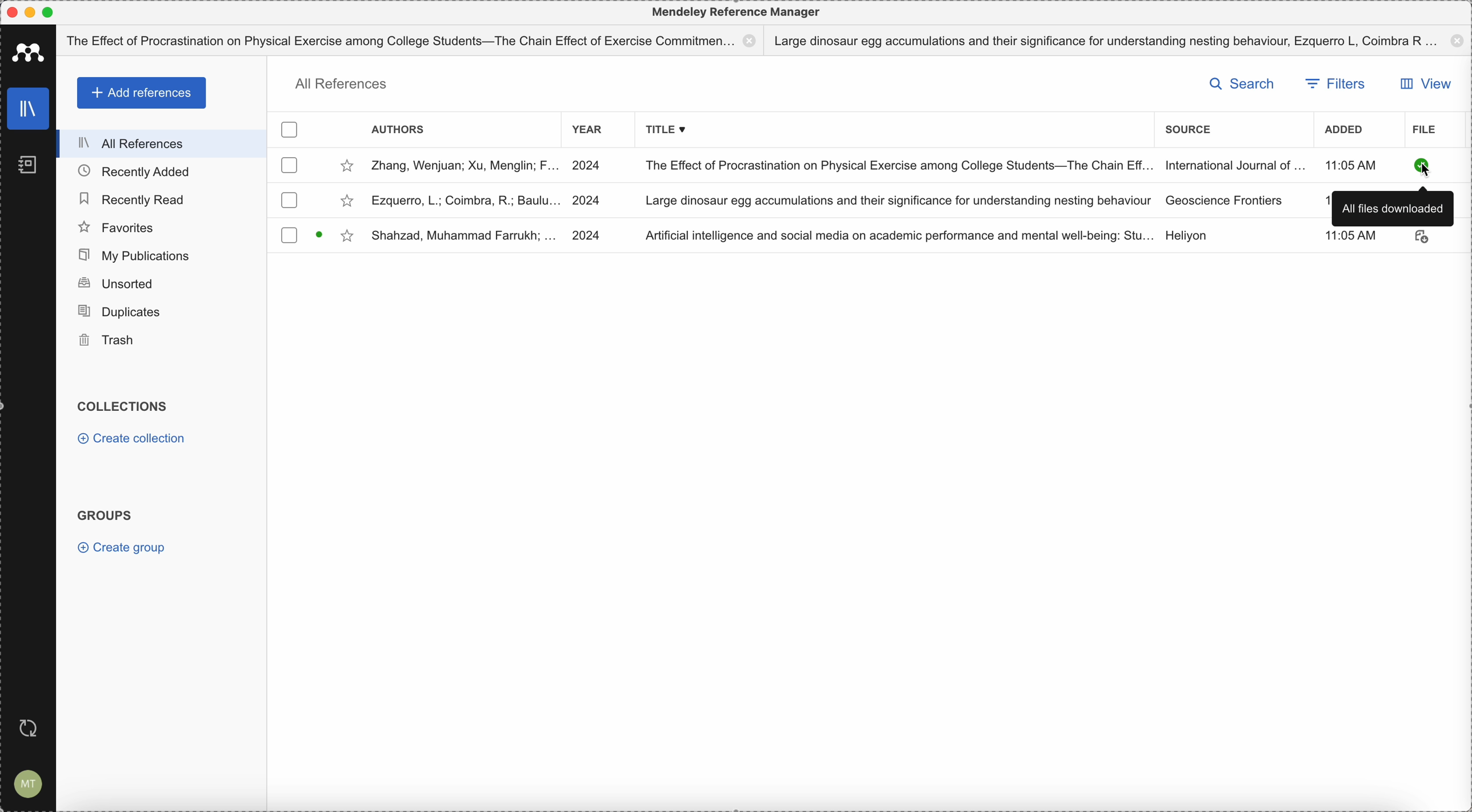 The height and width of the screenshot is (812, 1472). Describe the element at coordinates (158, 143) in the screenshot. I see `all references` at that location.